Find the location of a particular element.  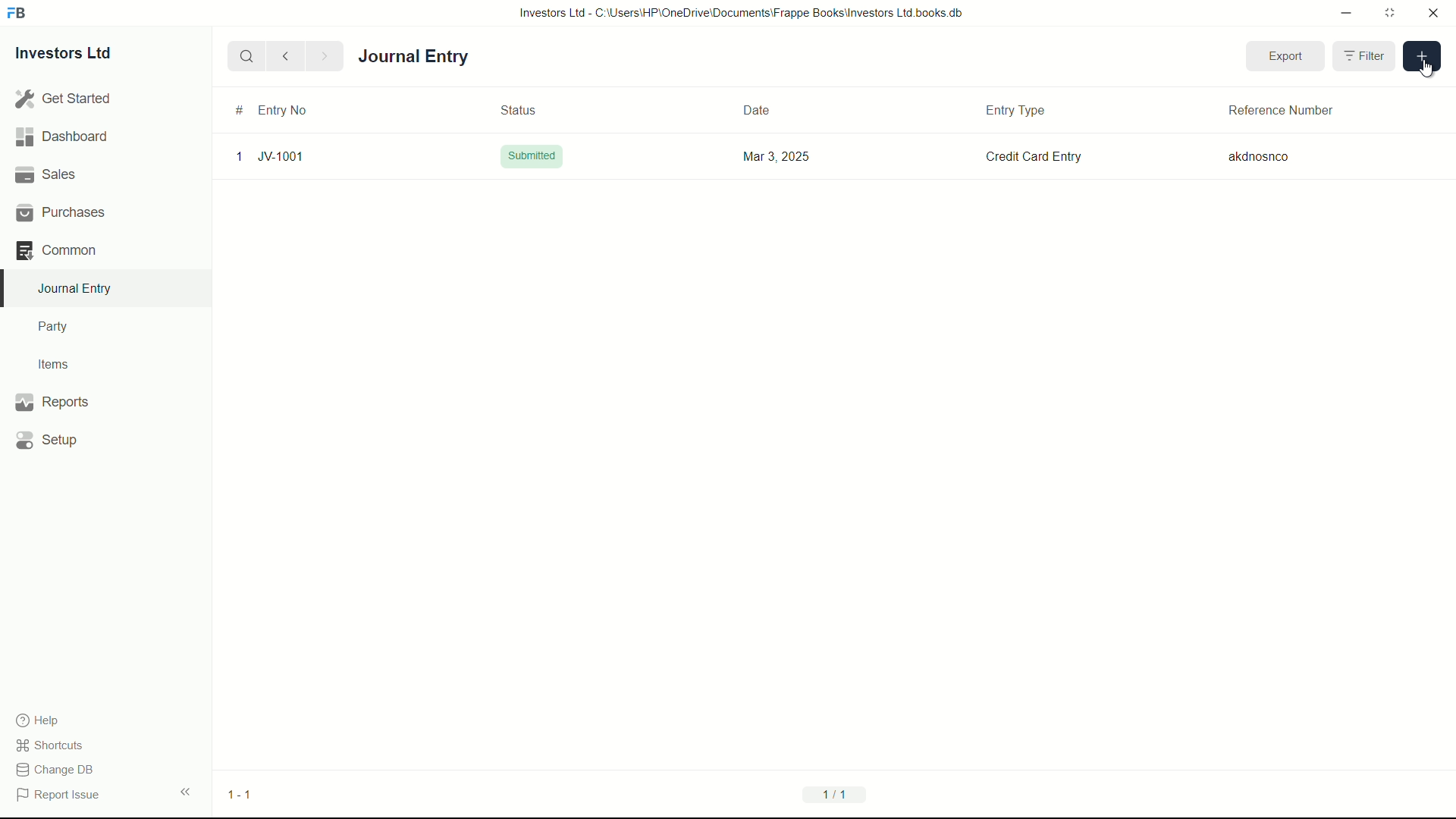

Date is located at coordinates (762, 111).